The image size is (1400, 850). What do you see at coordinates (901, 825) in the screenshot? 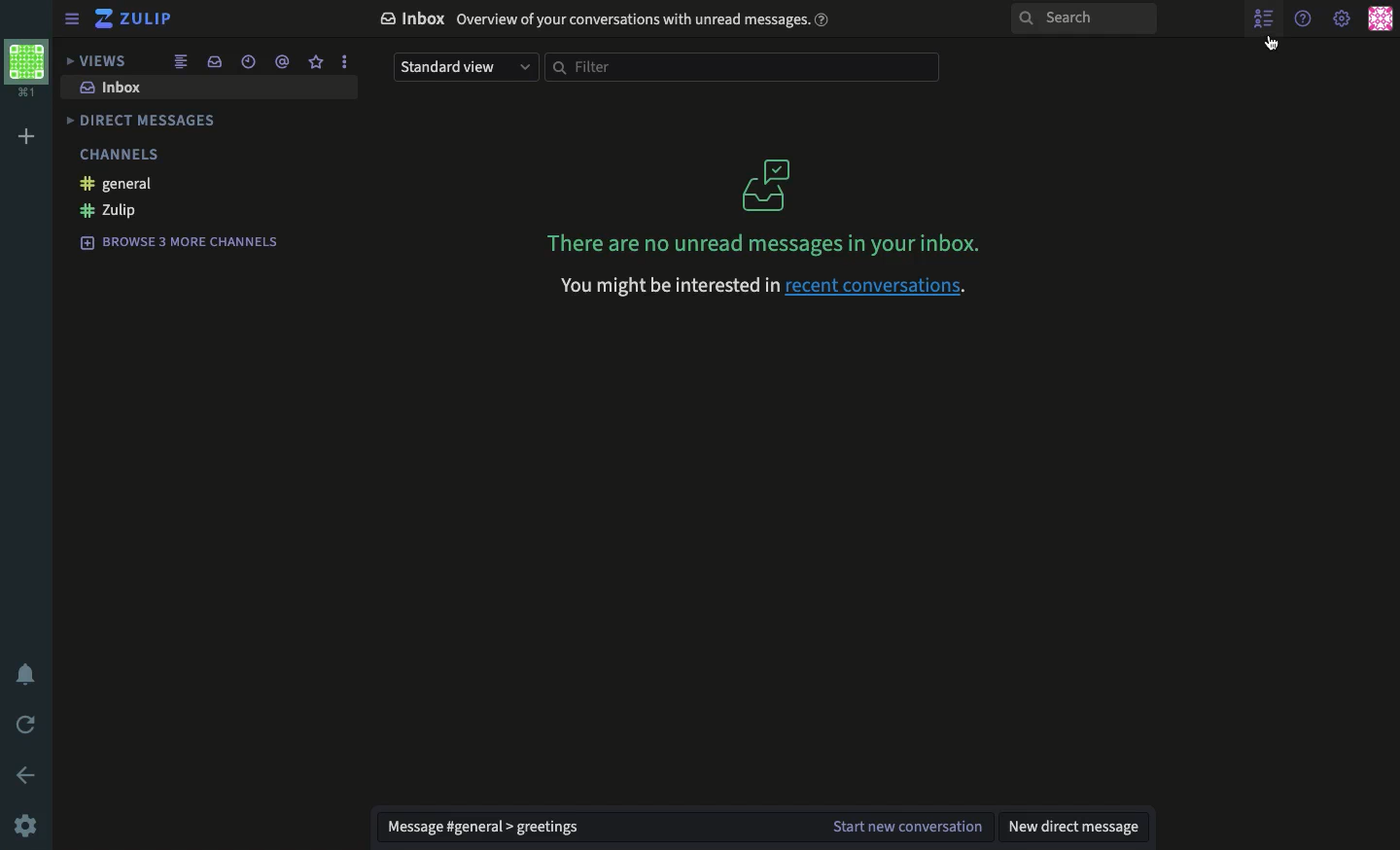
I see `start new conversation` at bounding box center [901, 825].